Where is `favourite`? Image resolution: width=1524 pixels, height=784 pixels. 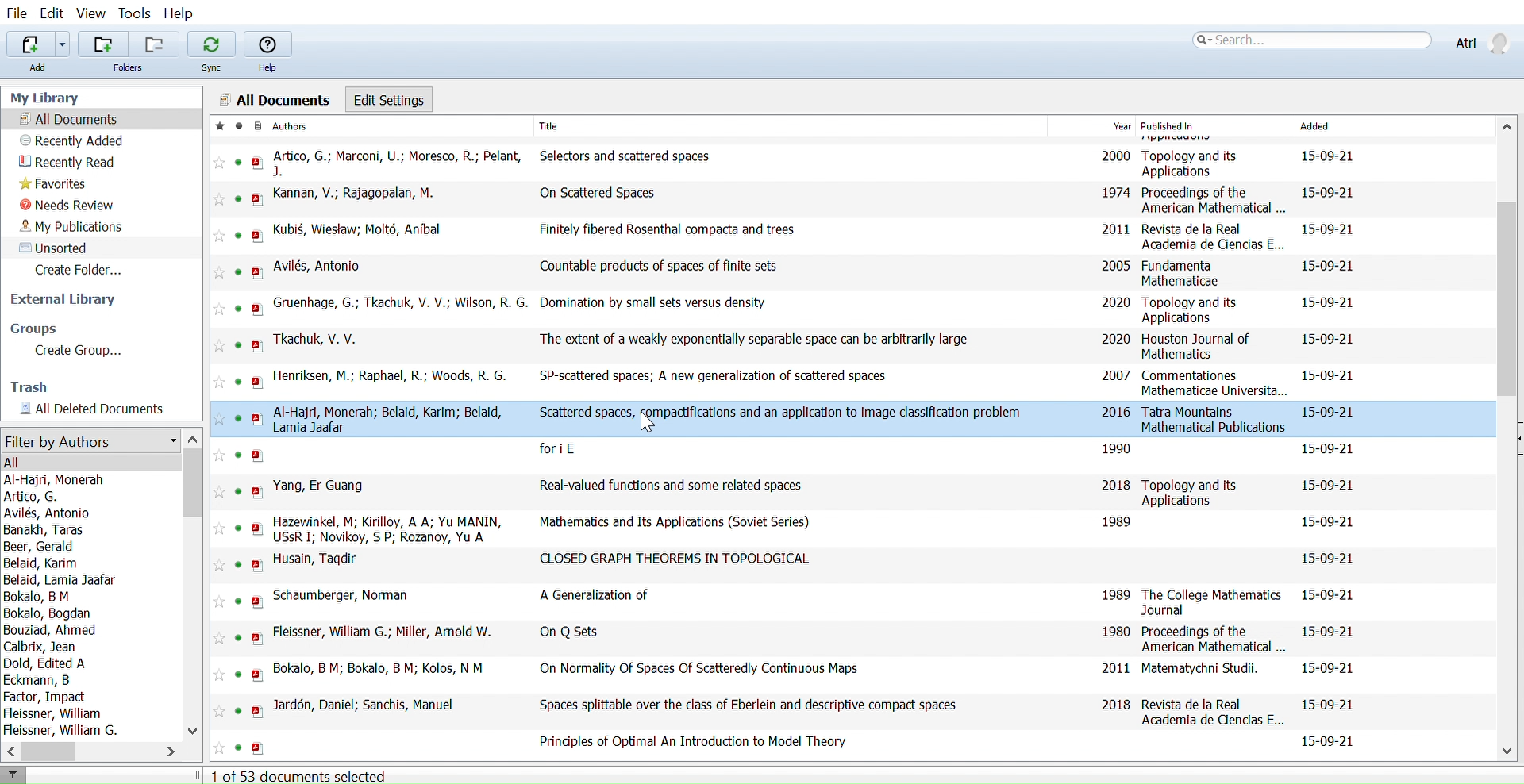
favourite is located at coordinates (215, 344).